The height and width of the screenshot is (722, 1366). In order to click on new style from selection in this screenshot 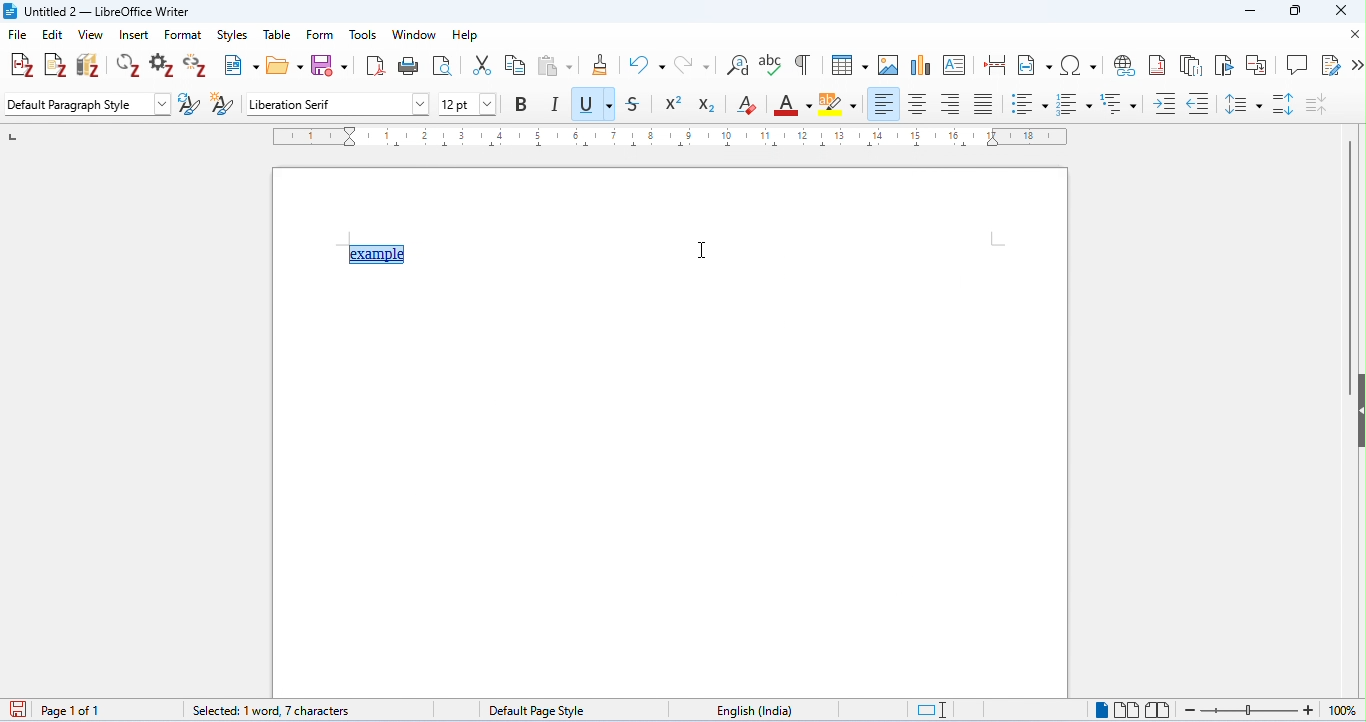, I will do `click(221, 103)`.